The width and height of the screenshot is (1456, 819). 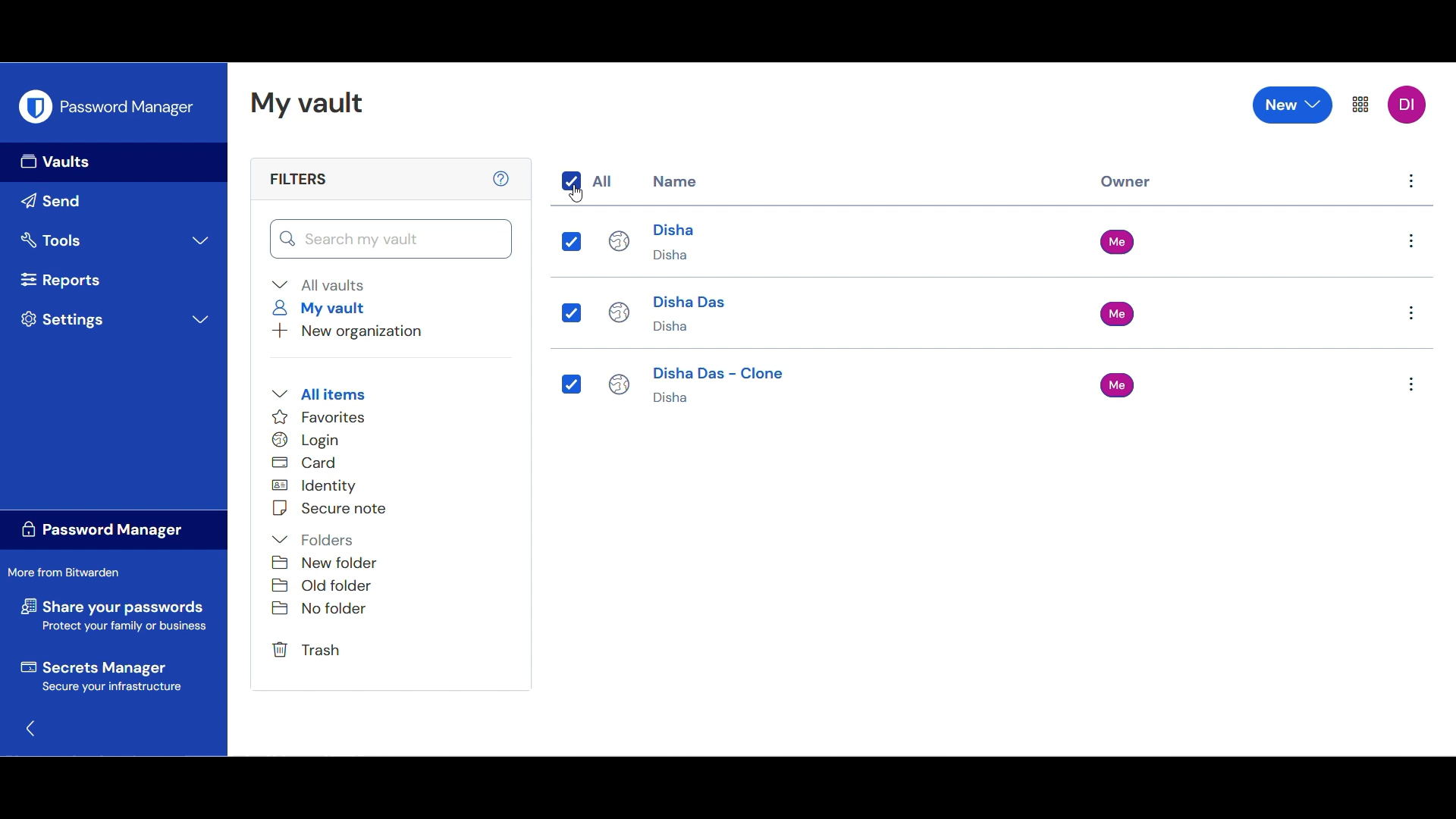 What do you see at coordinates (306, 104) in the screenshot?
I see `My vault` at bounding box center [306, 104].